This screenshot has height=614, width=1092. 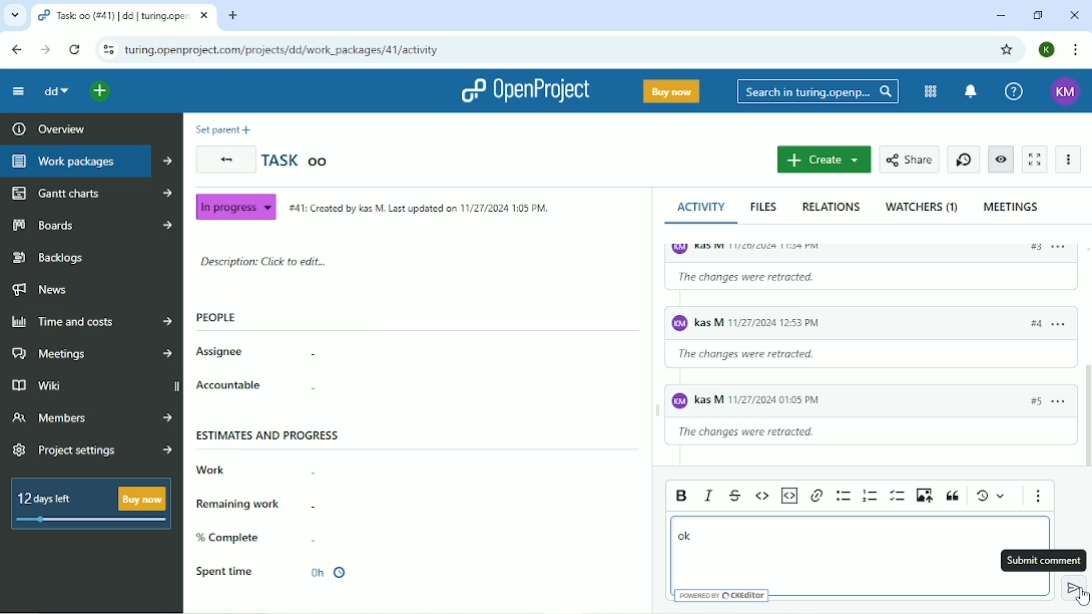 What do you see at coordinates (831, 206) in the screenshot?
I see `Relations` at bounding box center [831, 206].